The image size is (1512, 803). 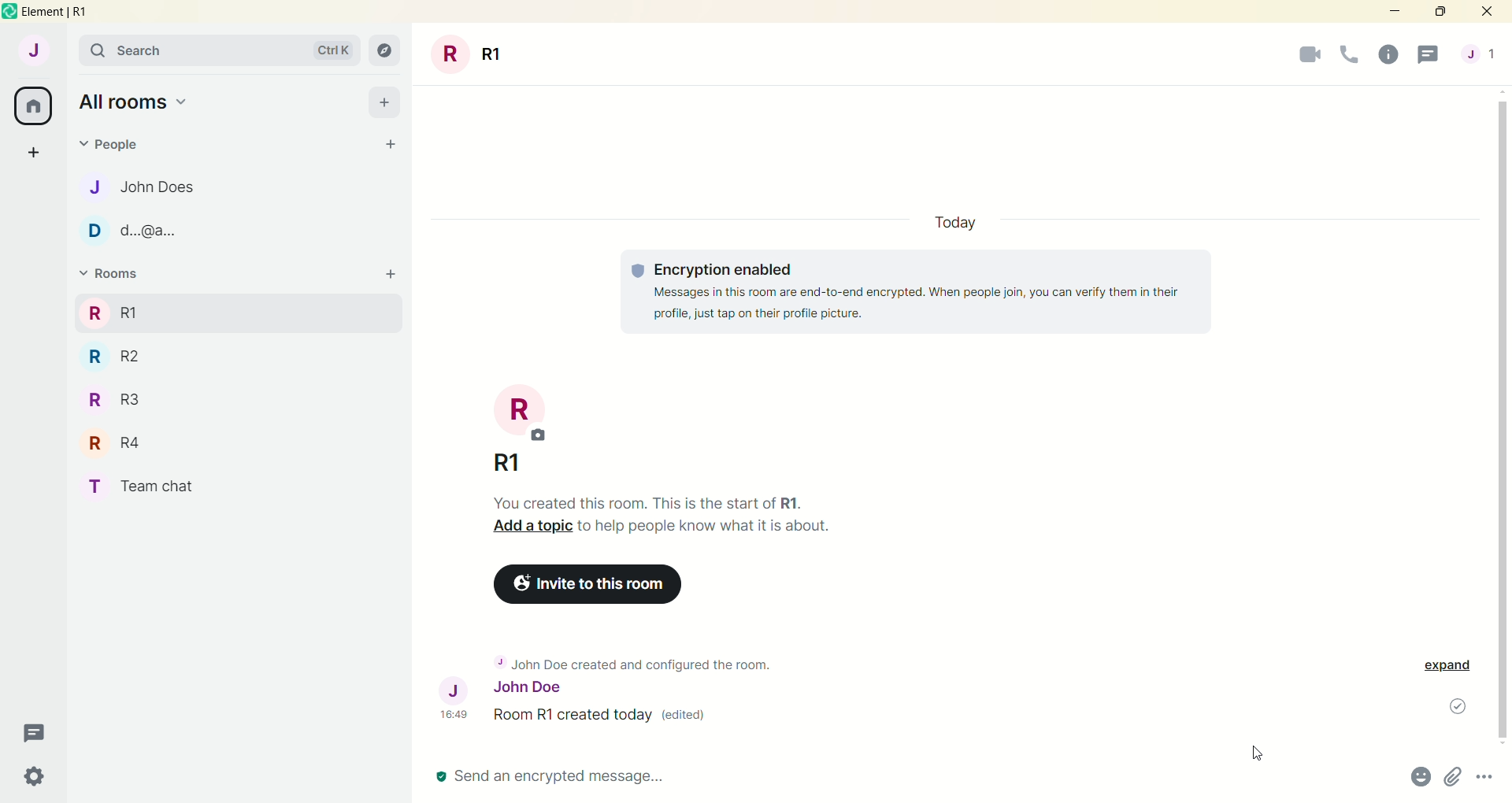 What do you see at coordinates (1418, 779) in the screenshot?
I see `emoji` at bounding box center [1418, 779].